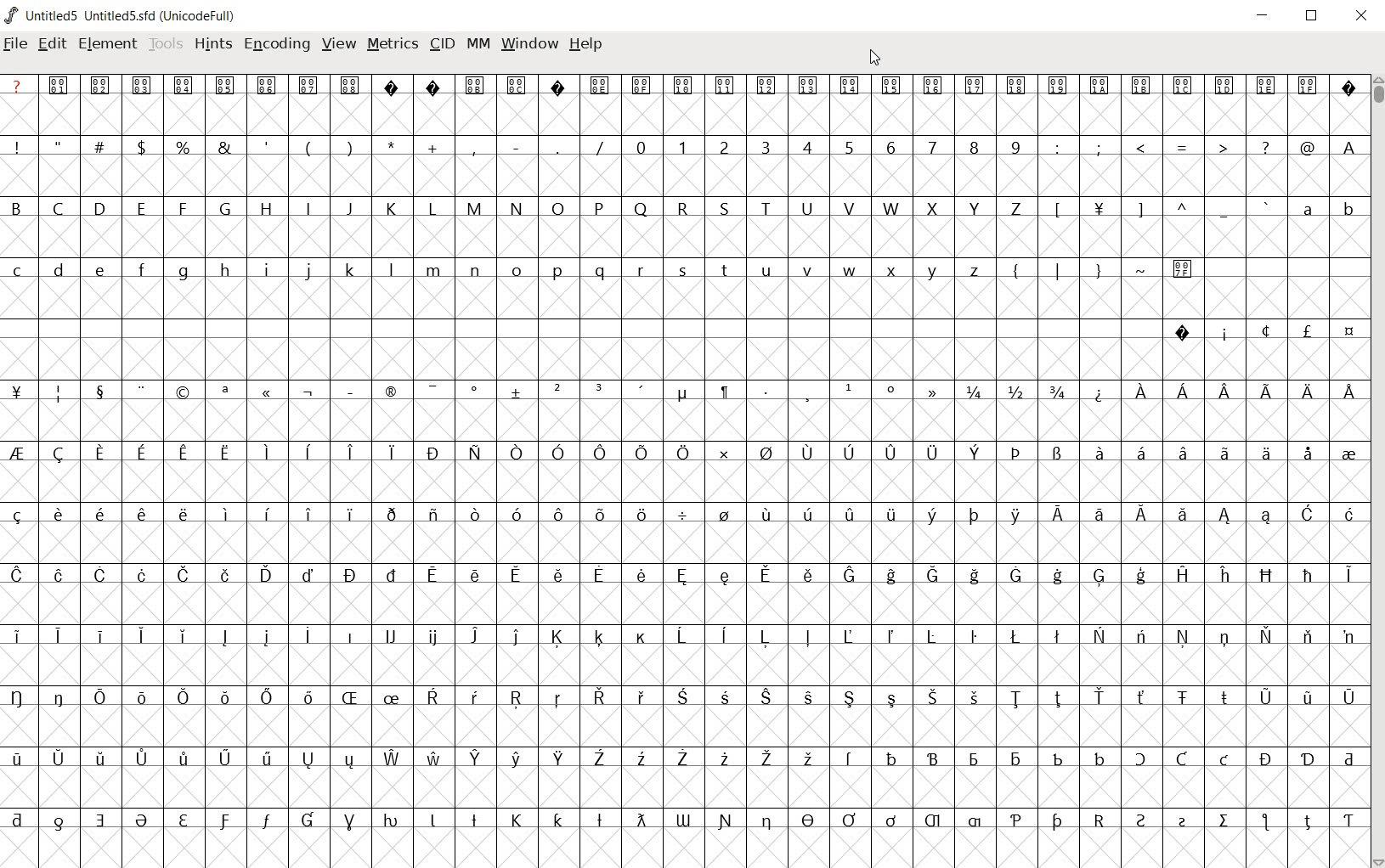 This screenshot has width=1385, height=868. I want to click on Symbol, so click(556, 577).